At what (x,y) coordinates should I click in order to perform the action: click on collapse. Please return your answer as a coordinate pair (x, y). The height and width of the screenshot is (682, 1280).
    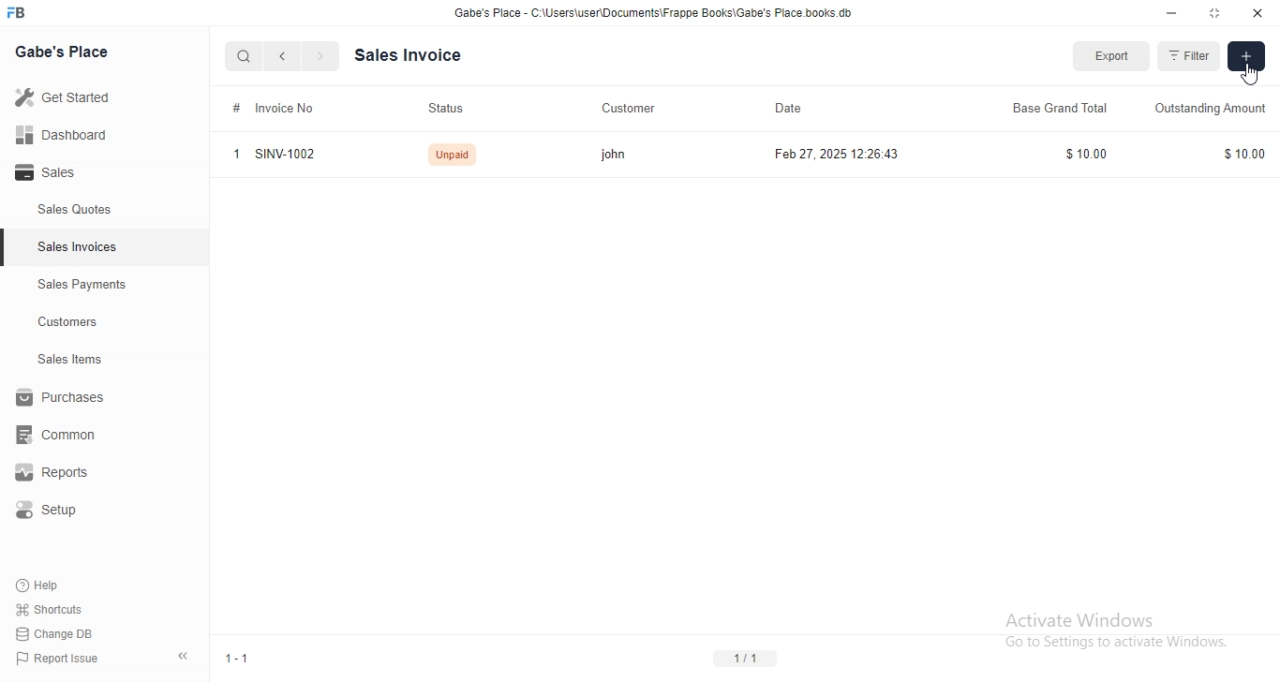
    Looking at the image, I should click on (186, 652).